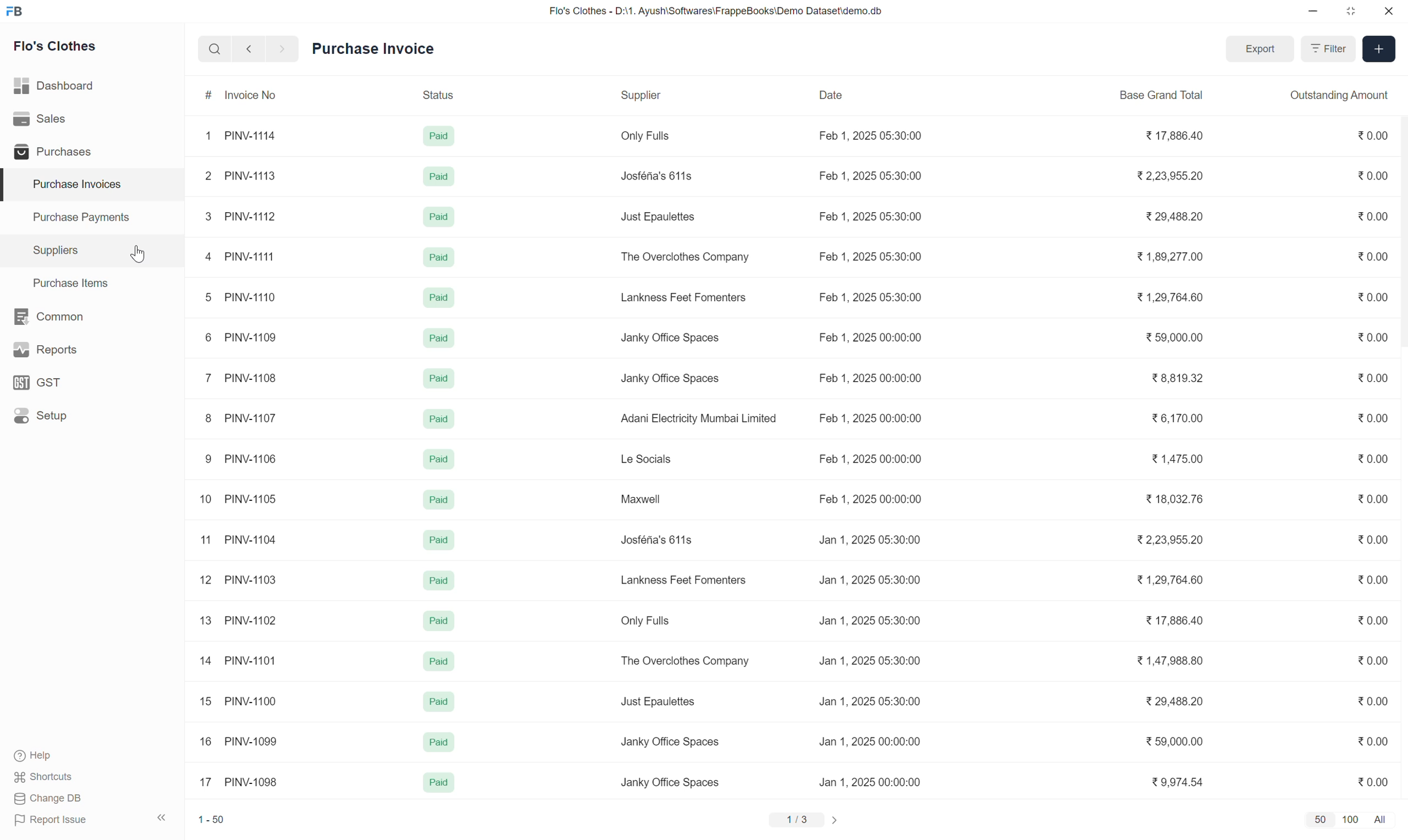  What do you see at coordinates (252, 96) in the screenshot?
I see `Invoice No` at bounding box center [252, 96].